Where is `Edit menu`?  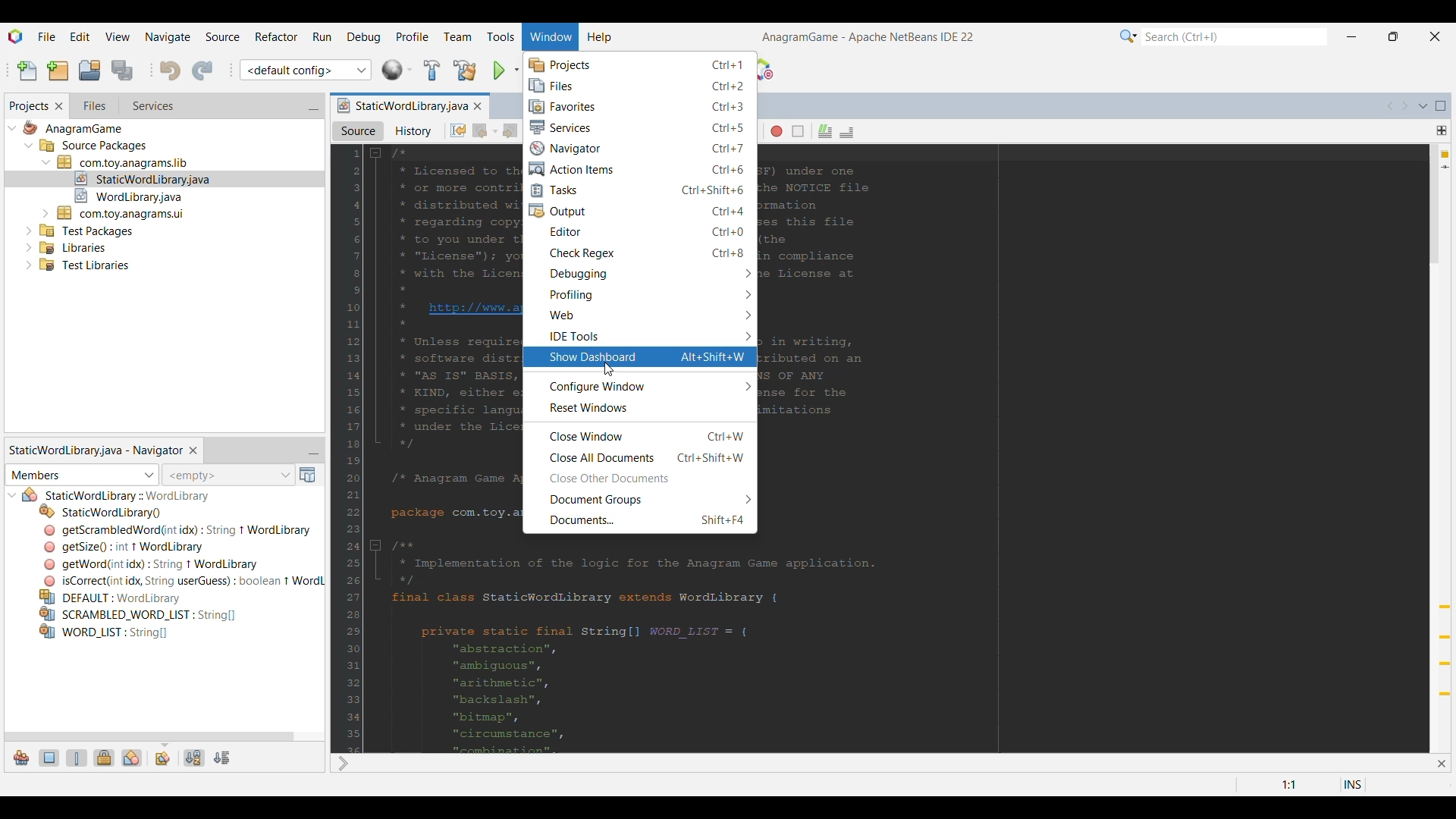 Edit menu is located at coordinates (80, 35).